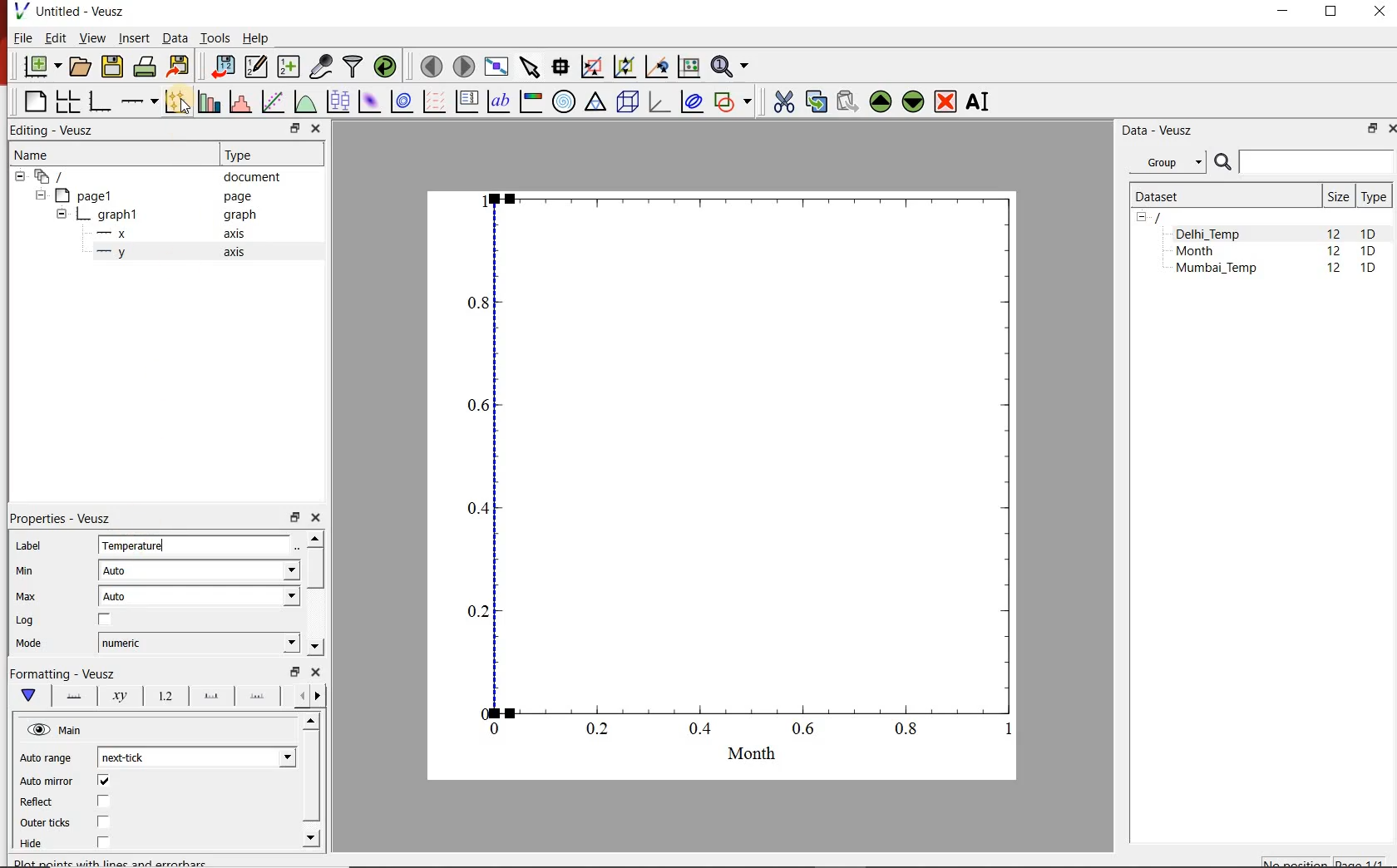 This screenshot has width=1397, height=868. Describe the element at coordinates (98, 102) in the screenshot. I see `base graph` at that location.